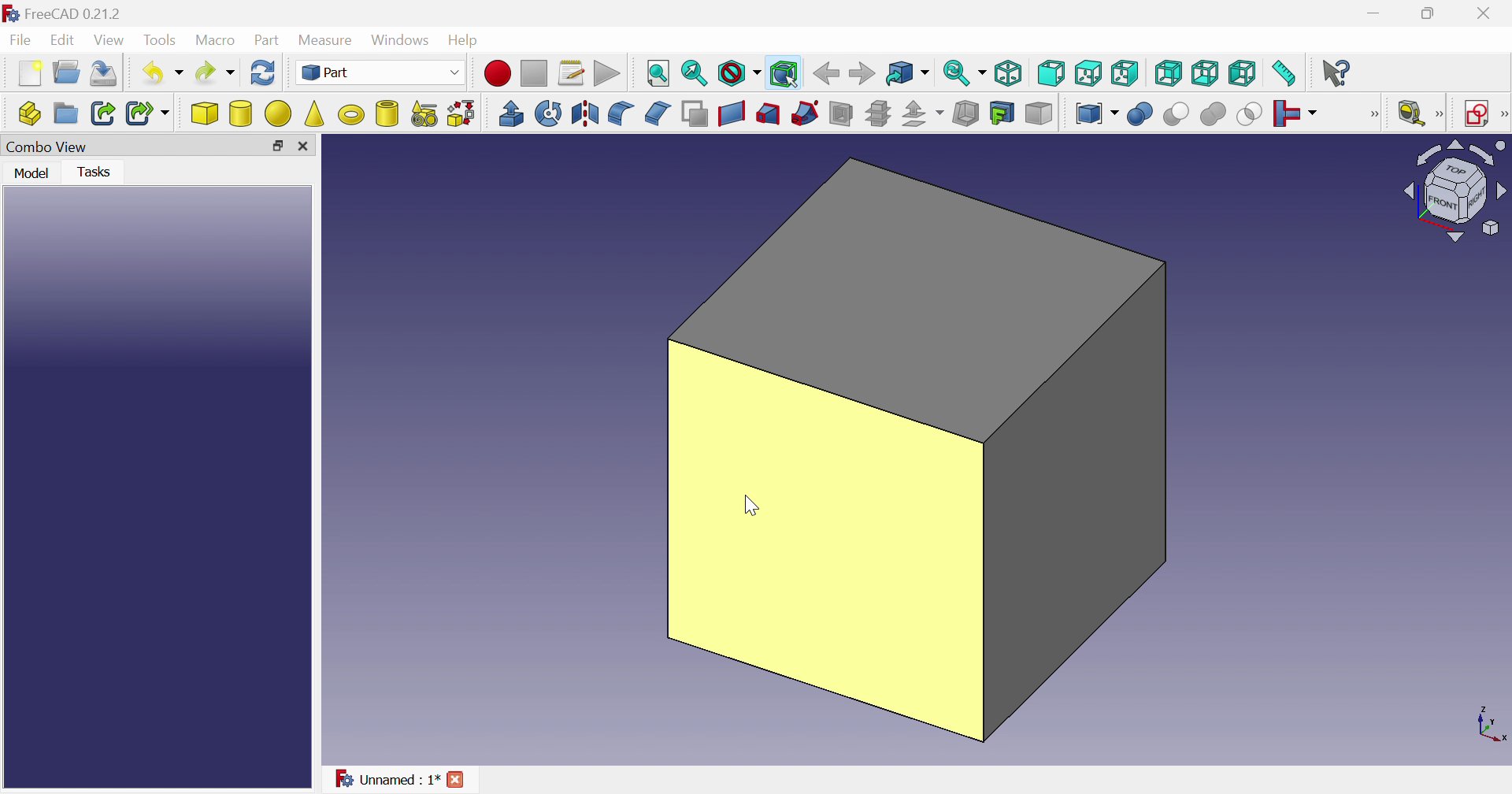 Image resolution: width=1512 pixels, height=794 pixels. Describe the element at coordinates (739, 75) in the screenshot. I see `Draw style ` at that location.